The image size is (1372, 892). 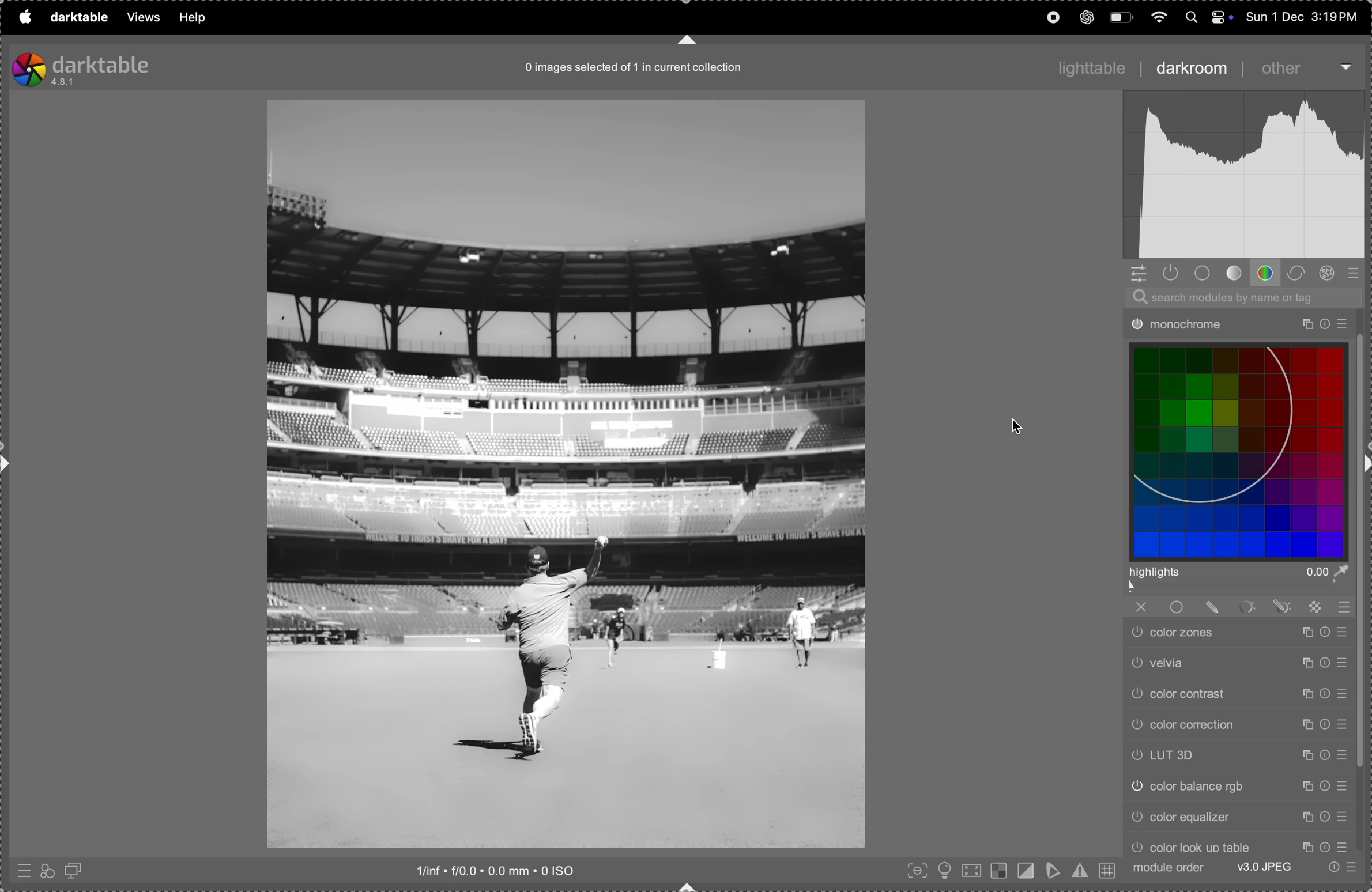 What do you see at coordinates (1171, 273) in the screenshot?
I see `show modules` at bounding box center [1171, 273].